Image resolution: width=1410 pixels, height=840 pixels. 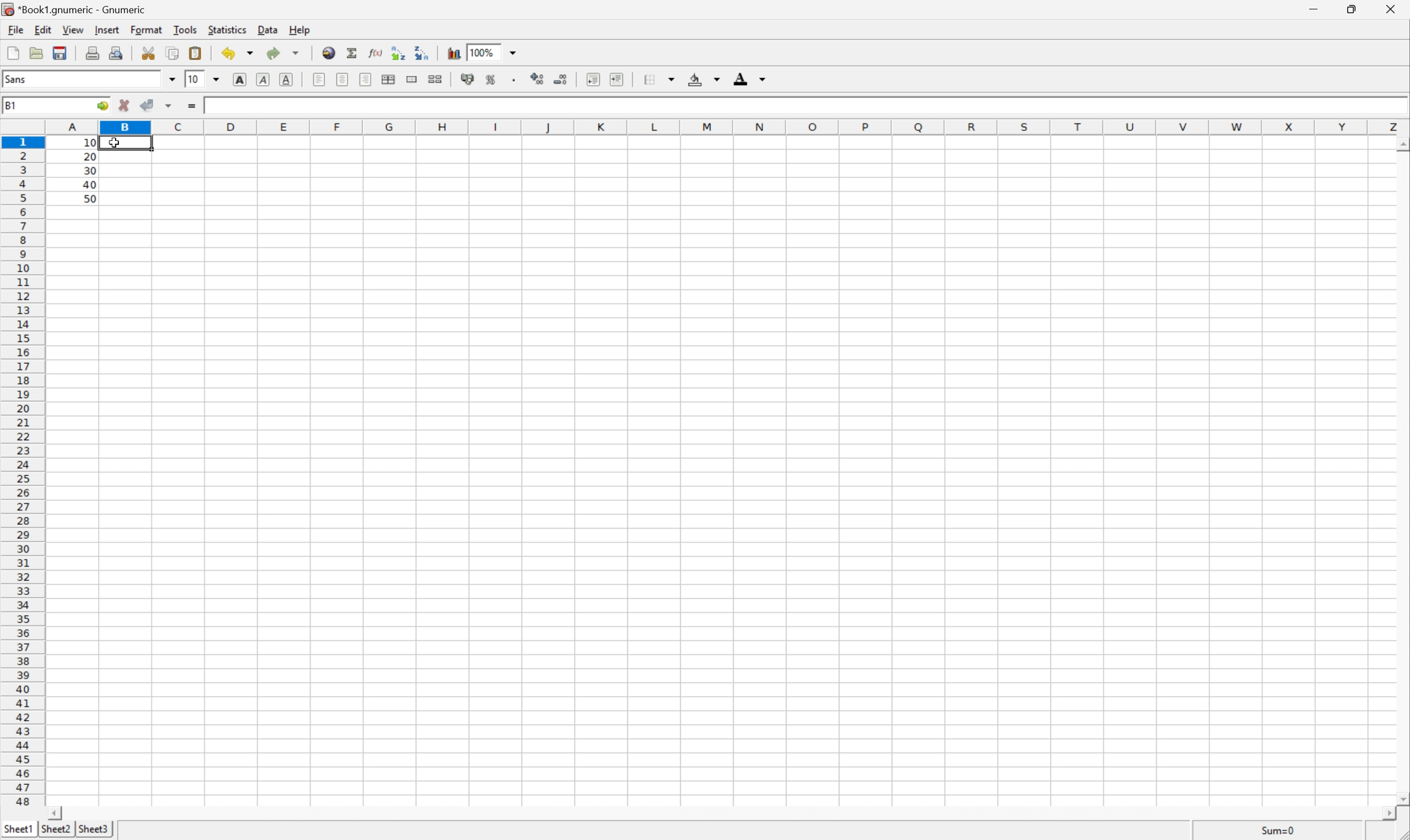 I want to click on Sheet2, so click(x=57, y=829).